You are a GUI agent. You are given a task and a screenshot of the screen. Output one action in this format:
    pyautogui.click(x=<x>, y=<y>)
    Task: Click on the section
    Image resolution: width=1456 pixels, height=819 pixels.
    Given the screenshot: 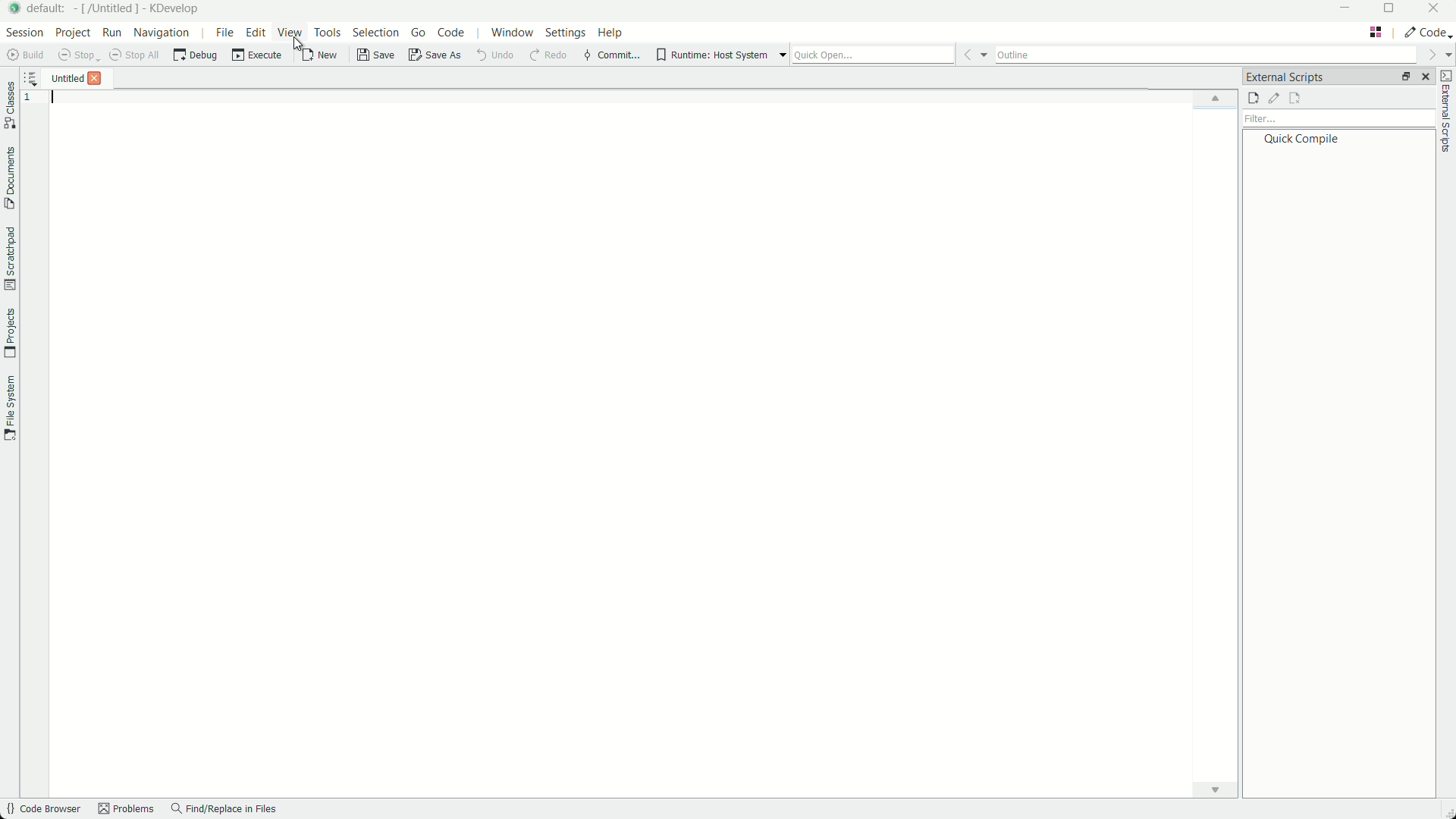 What is the action you would take?
    pyautogui.click(x=22, y=35)
    